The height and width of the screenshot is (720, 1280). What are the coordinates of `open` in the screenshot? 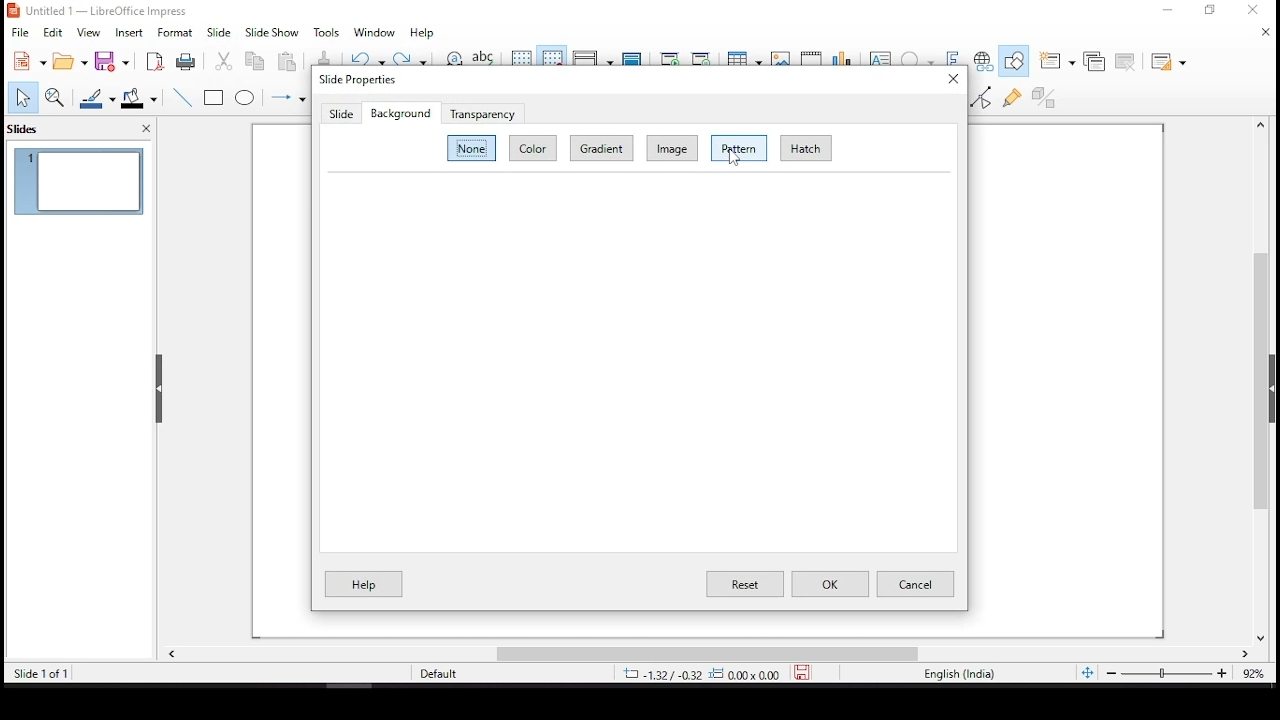 It's located at (70, 59).